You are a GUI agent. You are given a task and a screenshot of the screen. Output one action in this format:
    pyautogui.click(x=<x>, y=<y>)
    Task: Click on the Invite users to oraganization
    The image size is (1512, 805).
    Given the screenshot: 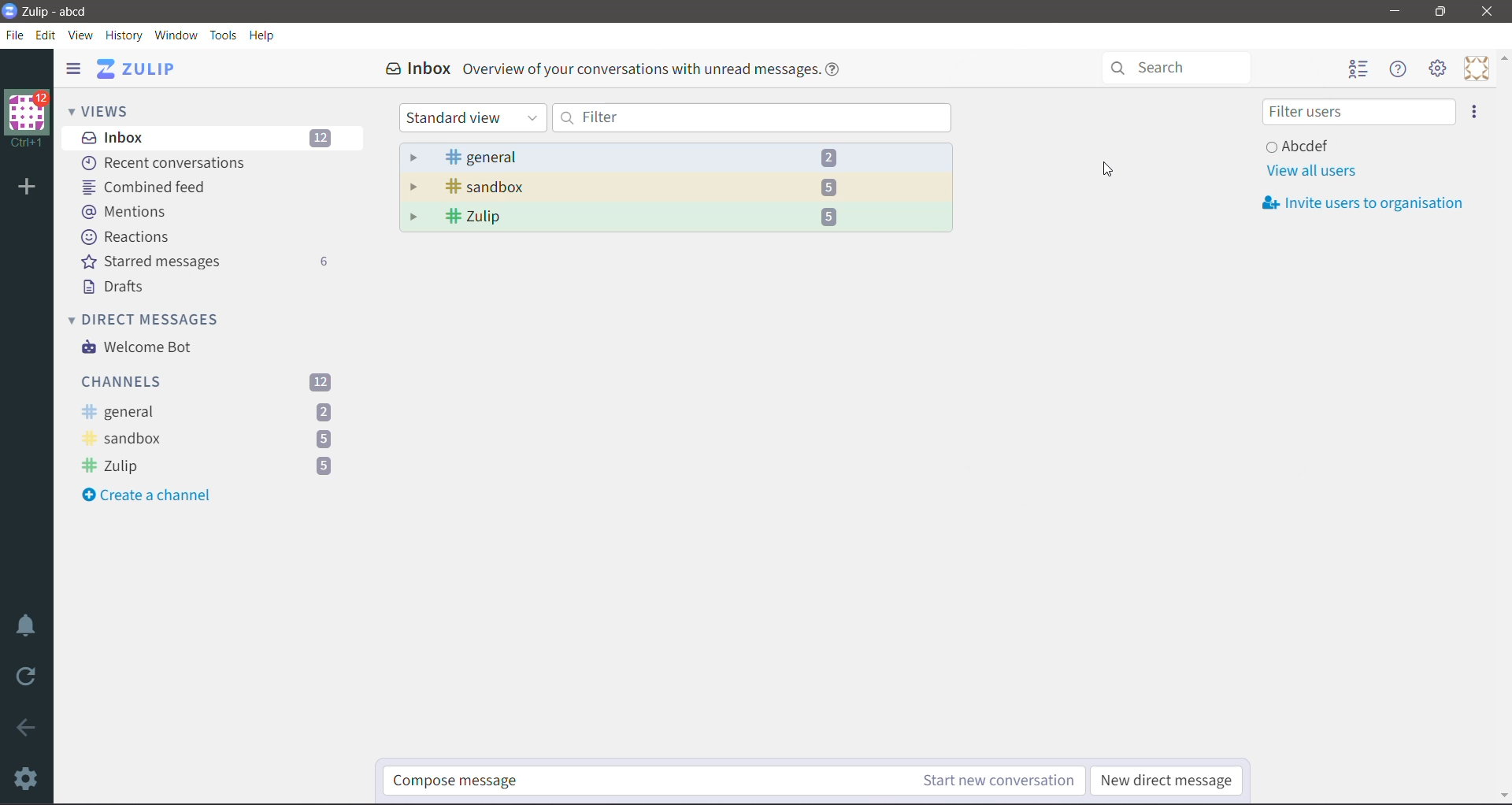 What is the action you would take?
    pyautogui.click(x=1366, y=203)
    